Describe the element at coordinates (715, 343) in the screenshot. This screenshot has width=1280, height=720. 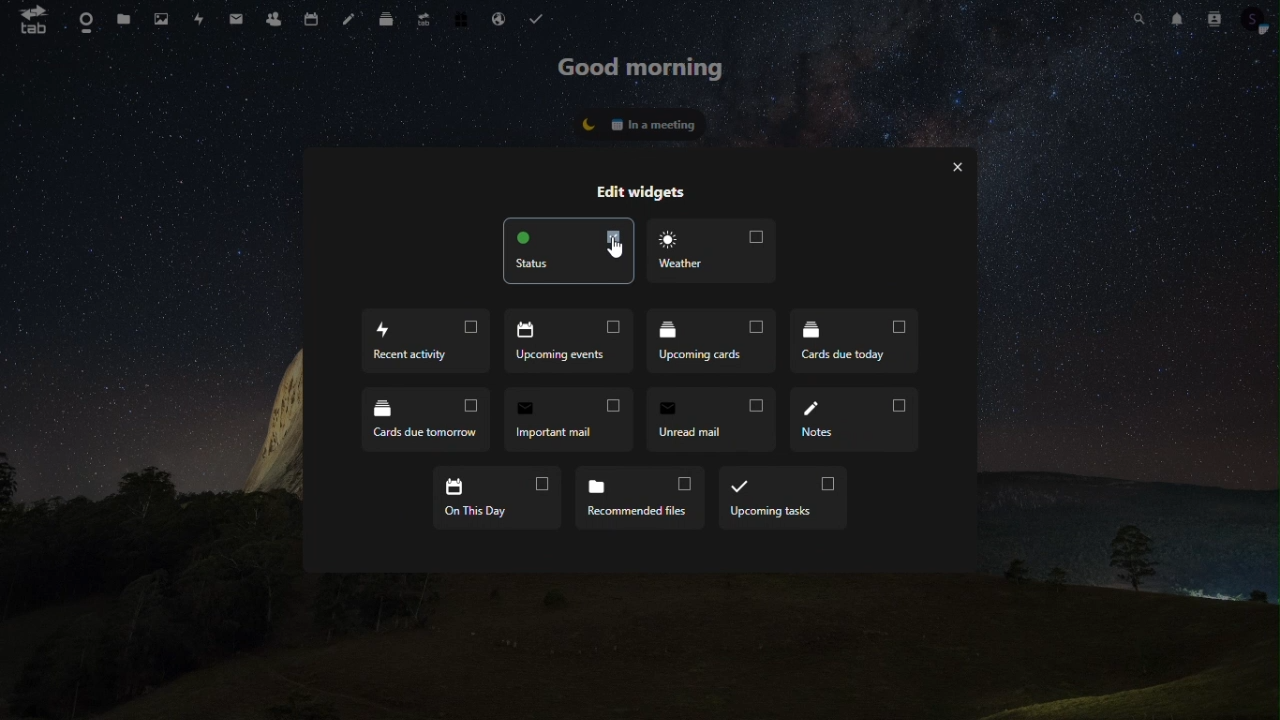
I see `upcoming card` at that location.